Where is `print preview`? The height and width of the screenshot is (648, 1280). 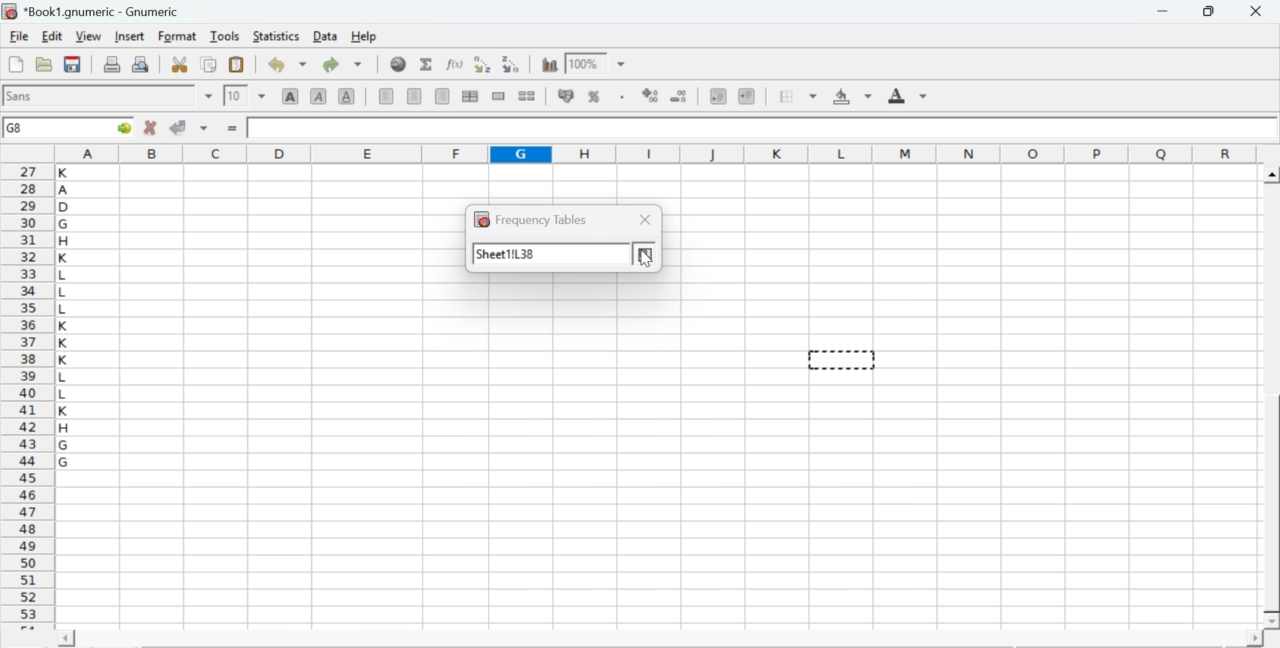
print preview is located at coordinates (141, 63).